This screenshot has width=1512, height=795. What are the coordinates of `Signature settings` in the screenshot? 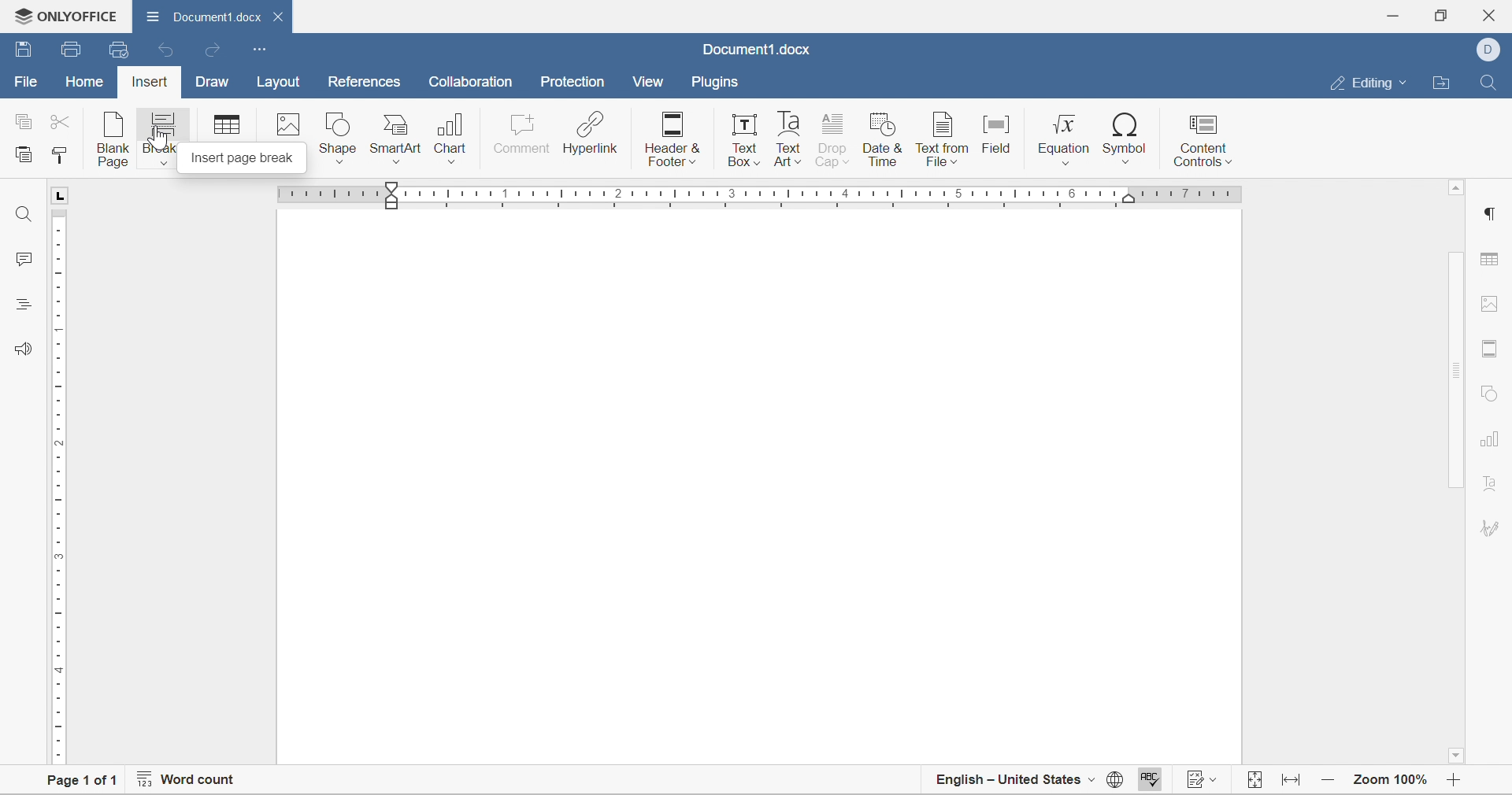 It's located at (1490, 490).